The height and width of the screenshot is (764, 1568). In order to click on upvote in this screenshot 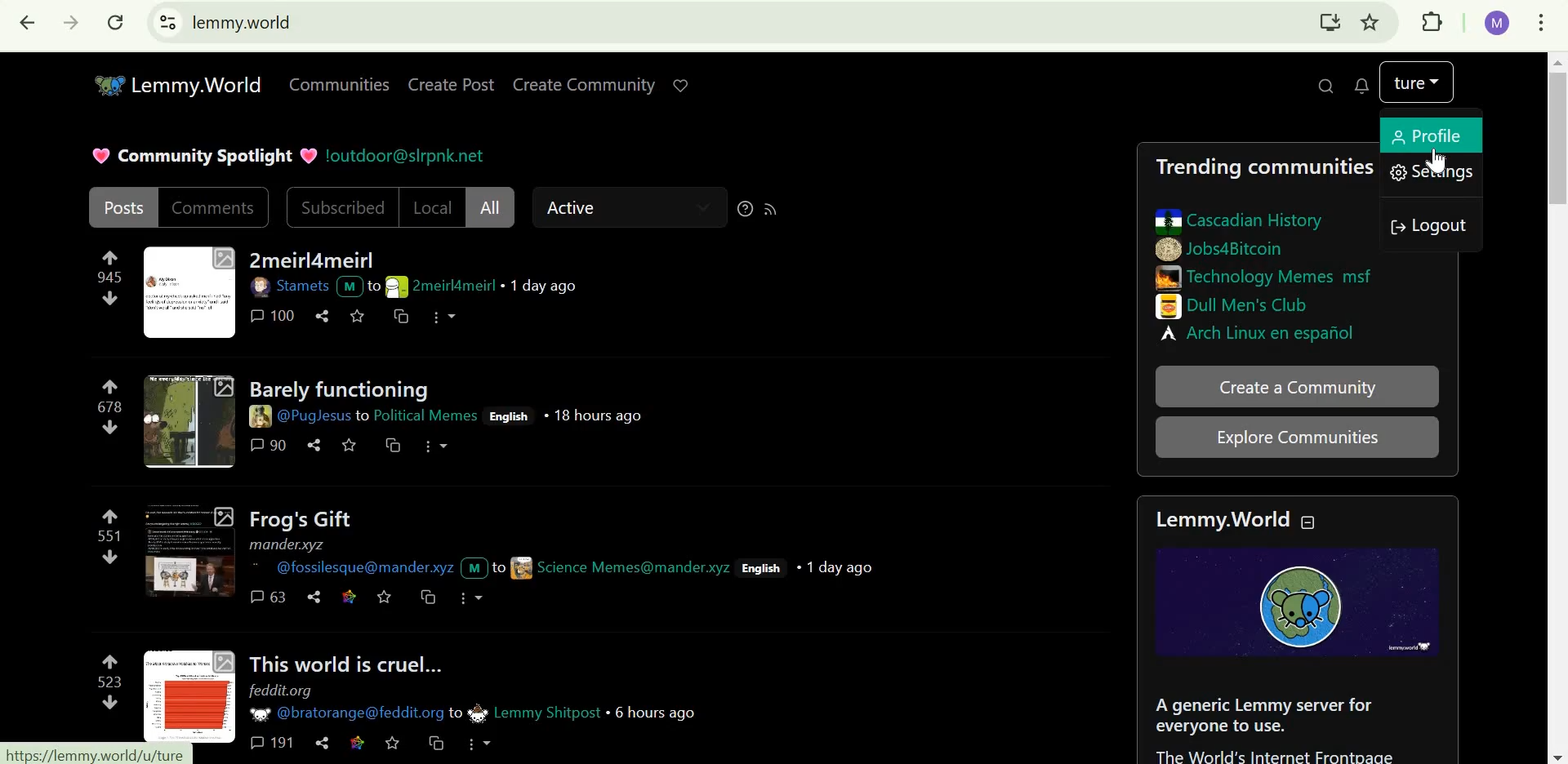, I will do `click(112, 384)`.